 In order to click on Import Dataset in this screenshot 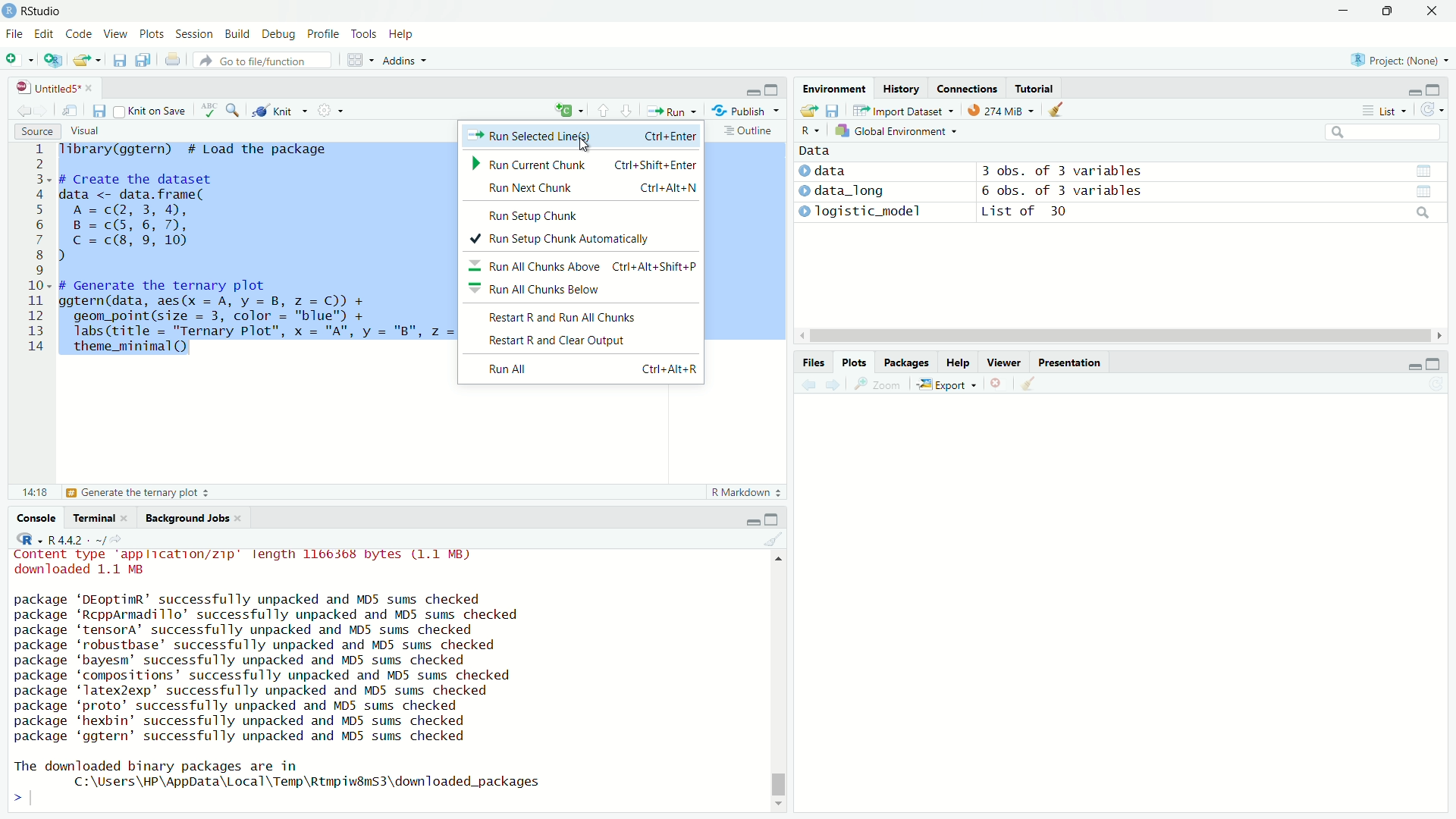, I will do `click(899, 110)`.